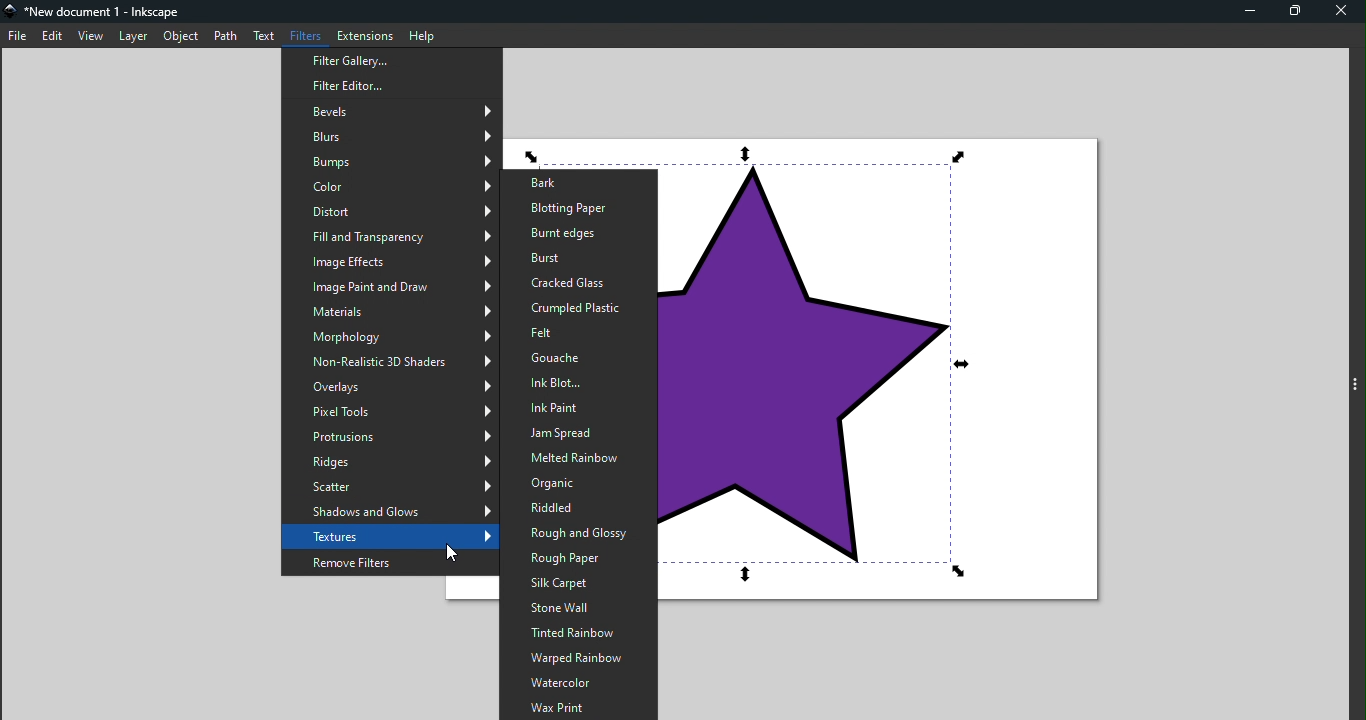  What do you see at coordinates (388, 136) in the screenshot?
I see `Blurs` at bounding box center [388, 136].